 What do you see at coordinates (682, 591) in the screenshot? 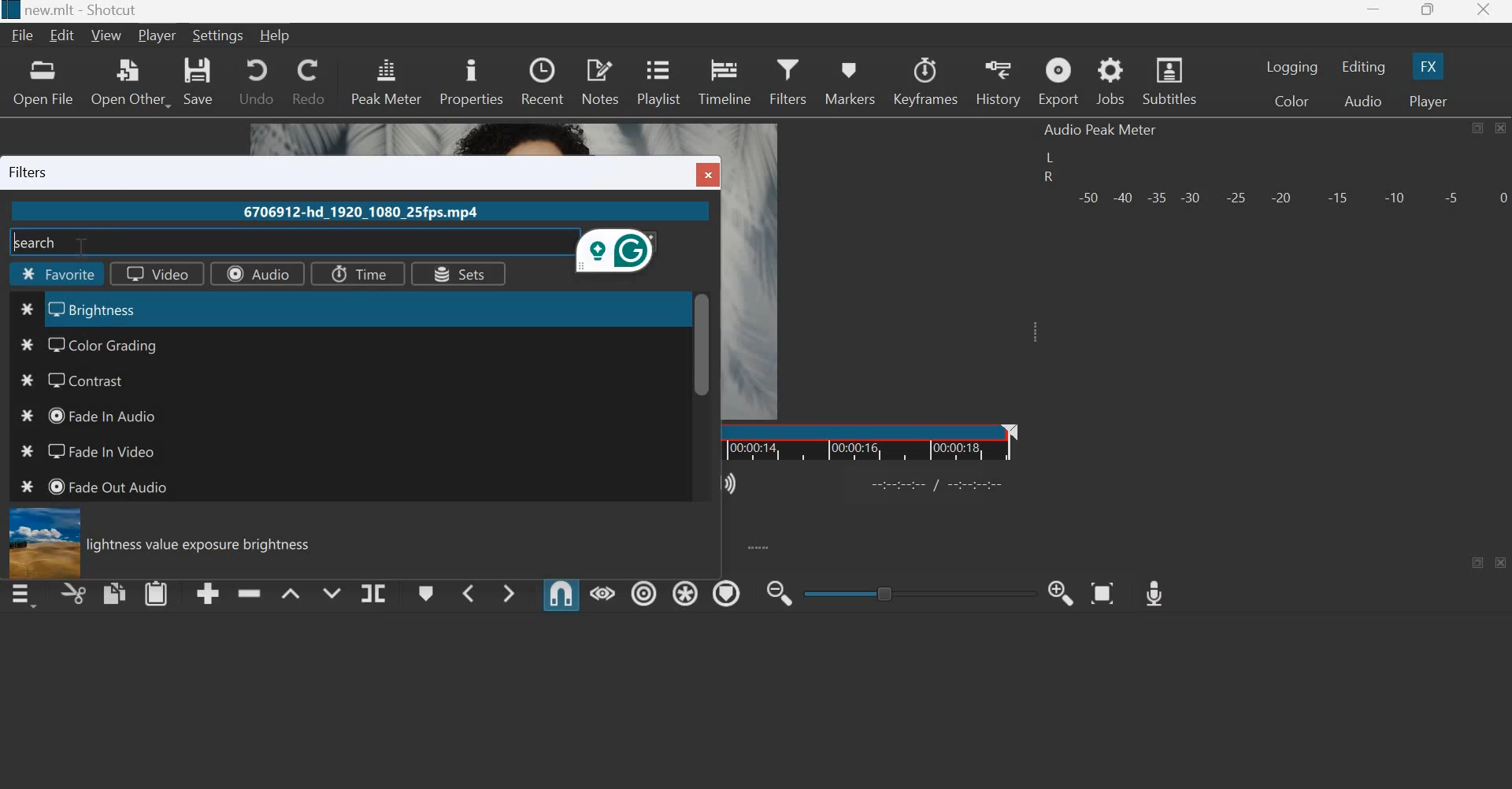
I see `Ripple all tracks` at bounding box center [682, 591].